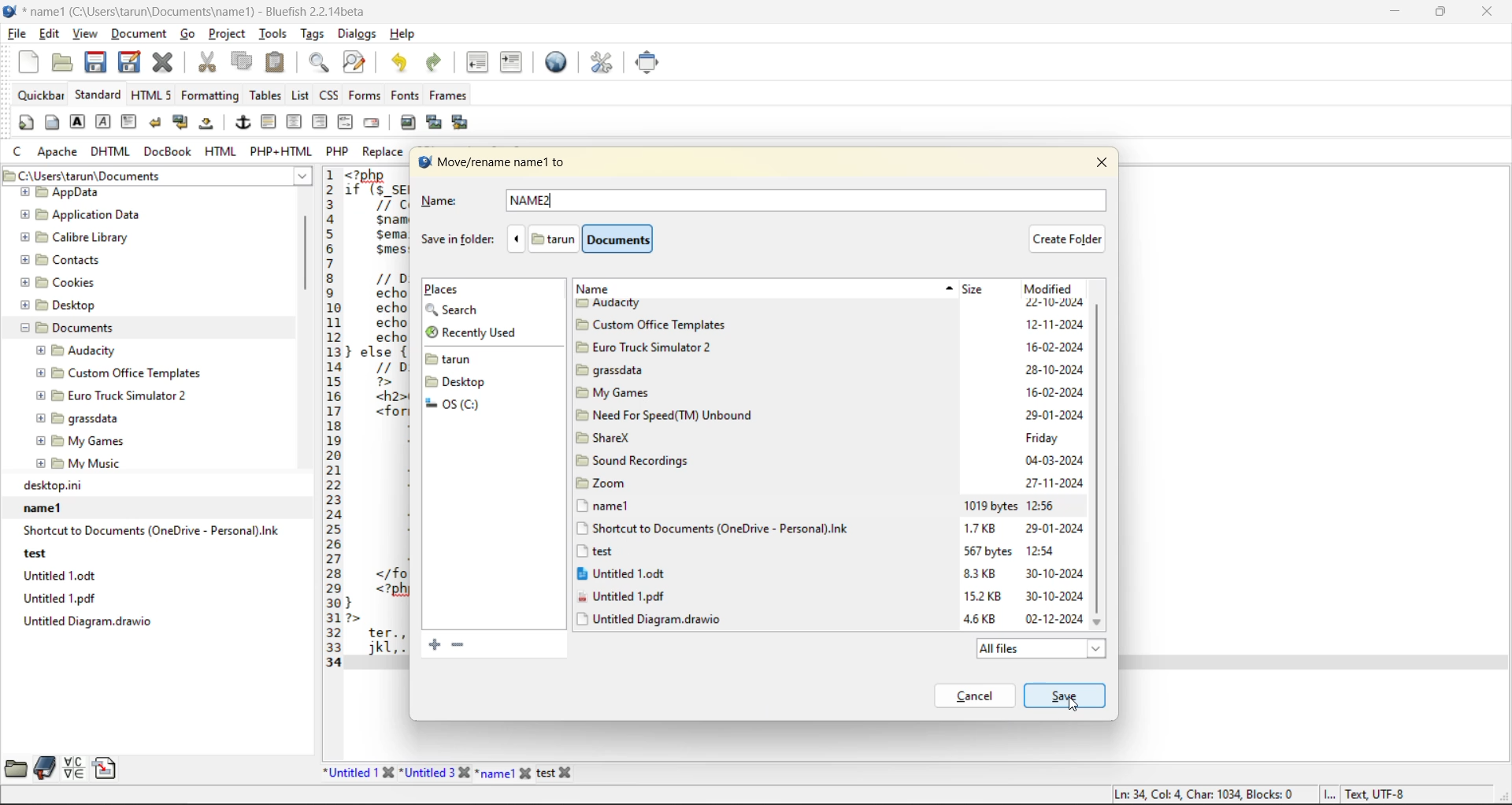 This screenshot has height=805, width=1512. Describe the element at coordinates (99, 97) in the screenshot. I see `standard` at that location.